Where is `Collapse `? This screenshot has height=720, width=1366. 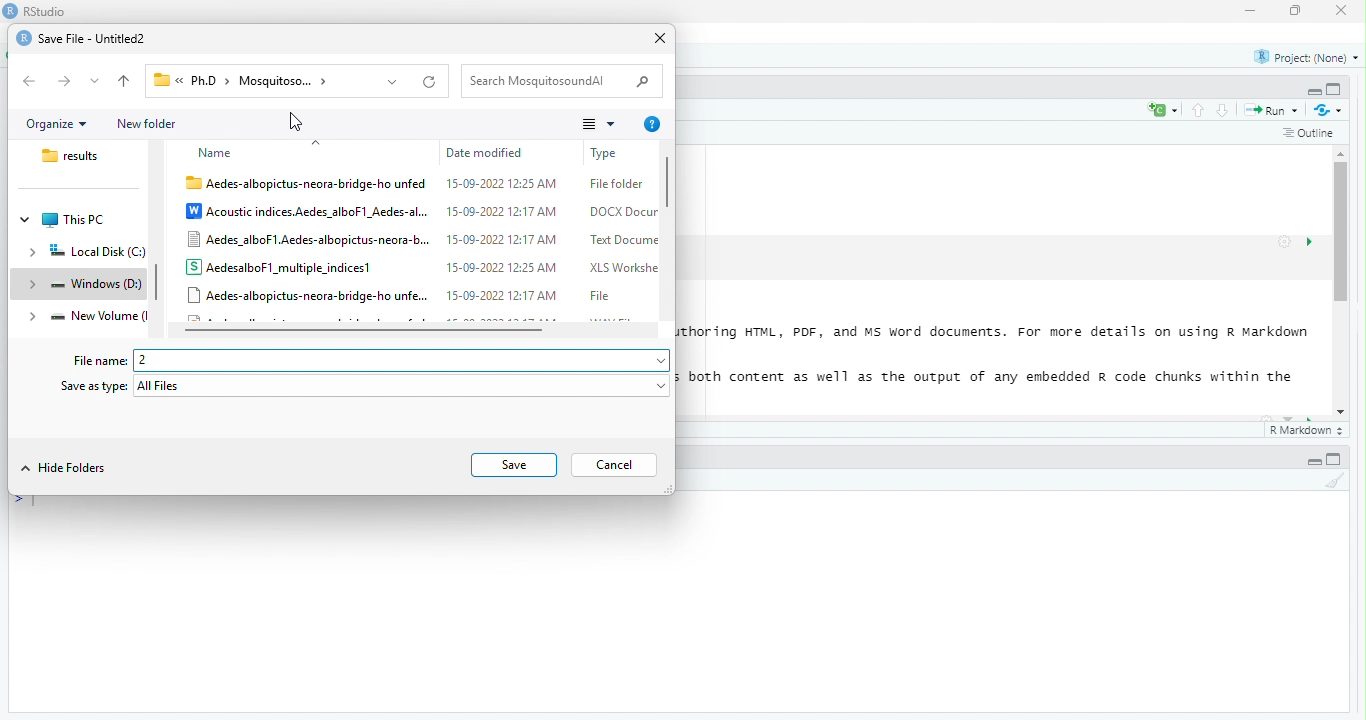
Collapse  is located at coordinates (26, 220).